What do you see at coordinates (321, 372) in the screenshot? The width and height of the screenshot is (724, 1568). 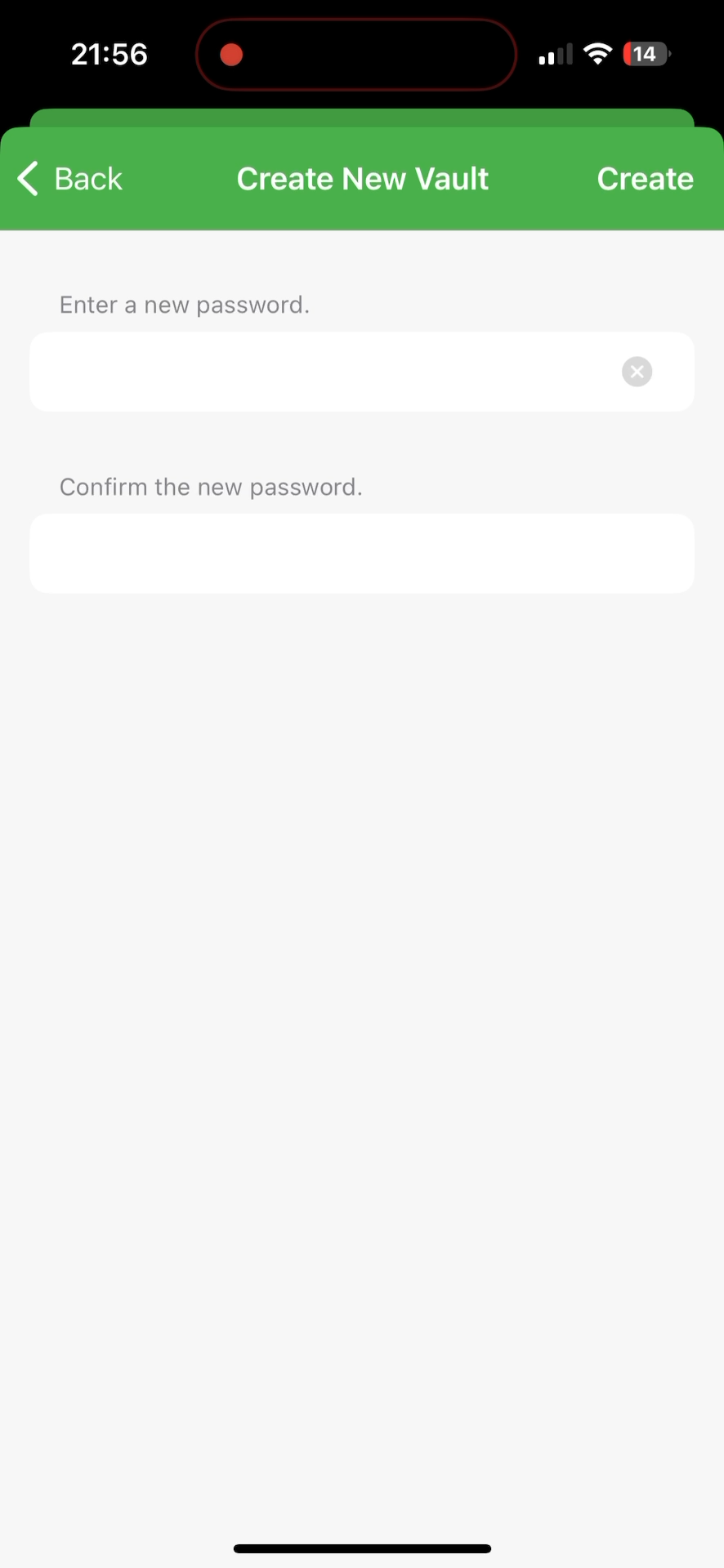 I see `caption for new password` at bounding box center [321, 372].